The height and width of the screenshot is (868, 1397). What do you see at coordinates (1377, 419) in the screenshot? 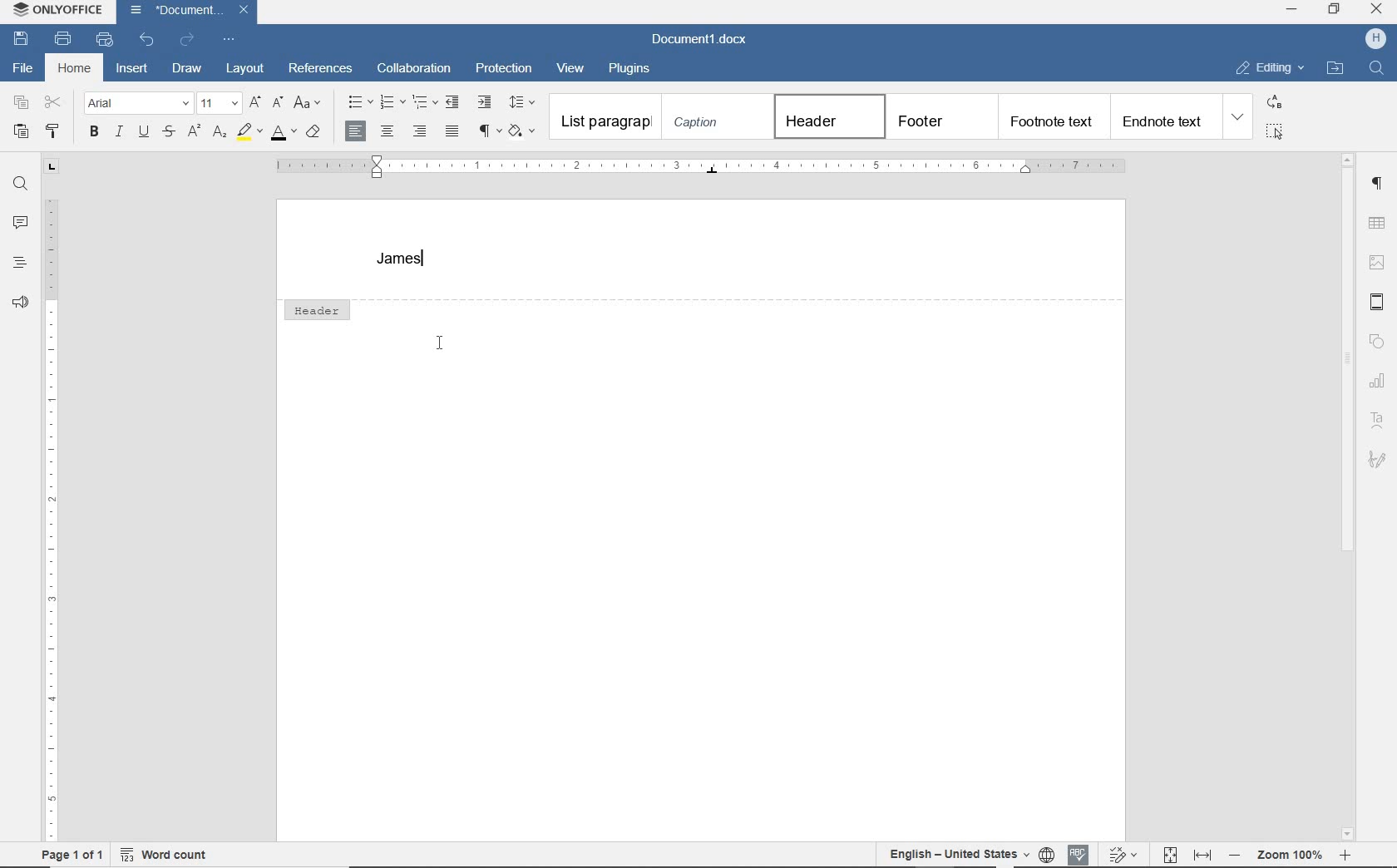
I see `TextArt` at bounding box center [1377, 419].